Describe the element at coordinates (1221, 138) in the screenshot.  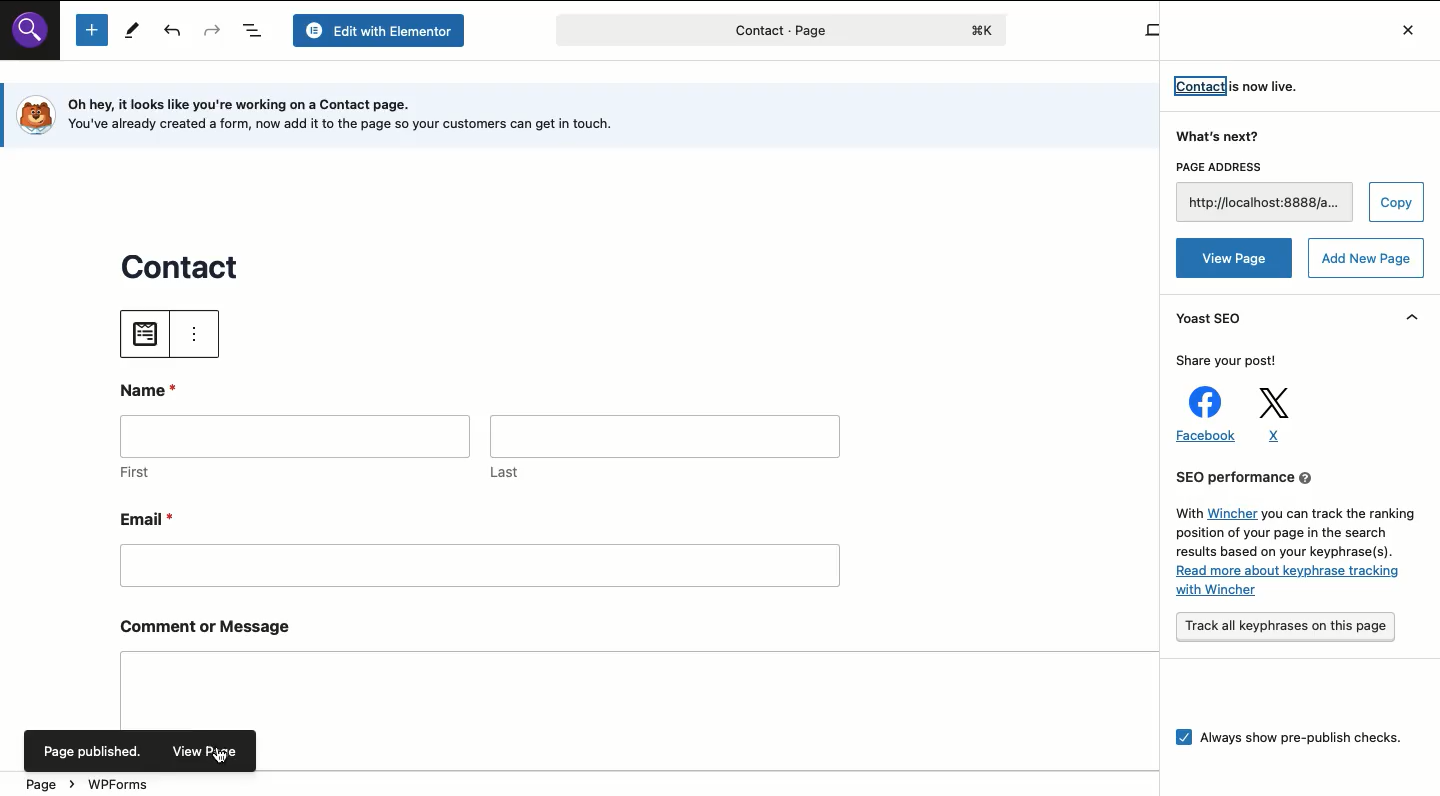
I see `What's next?` at that location.